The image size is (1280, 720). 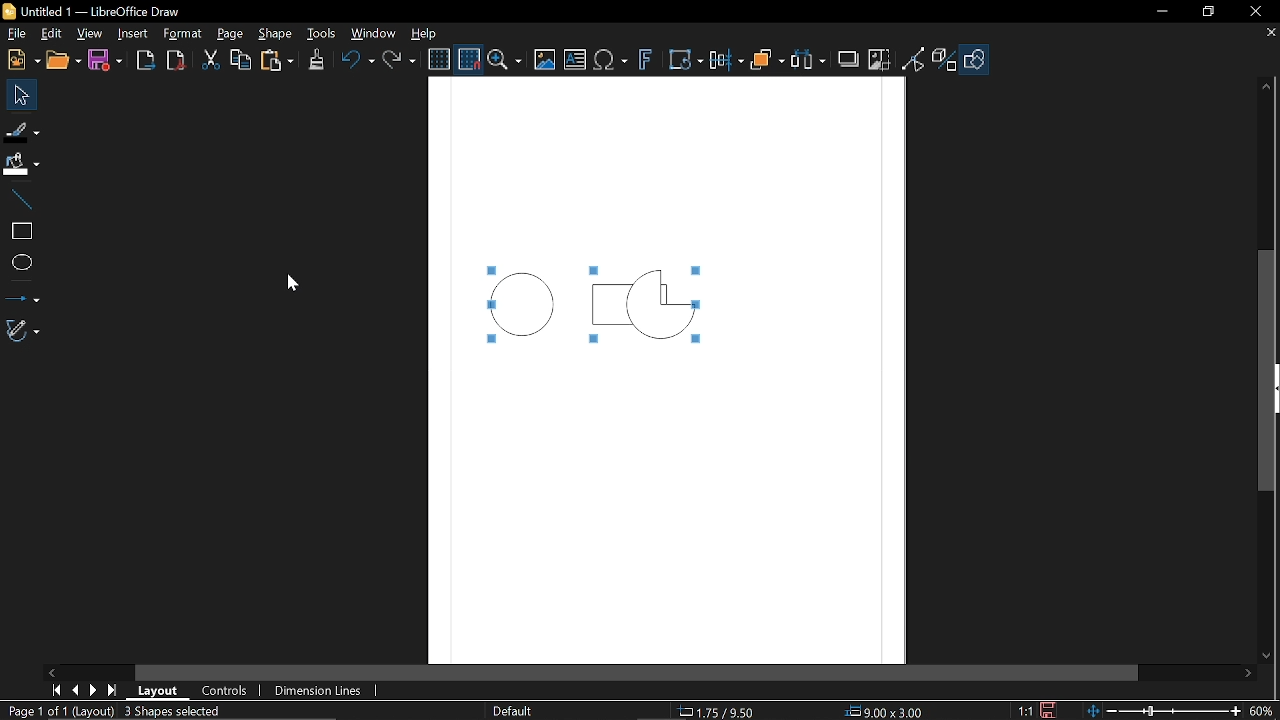 I want to click on Fill Line , so click(x=22, y=131).